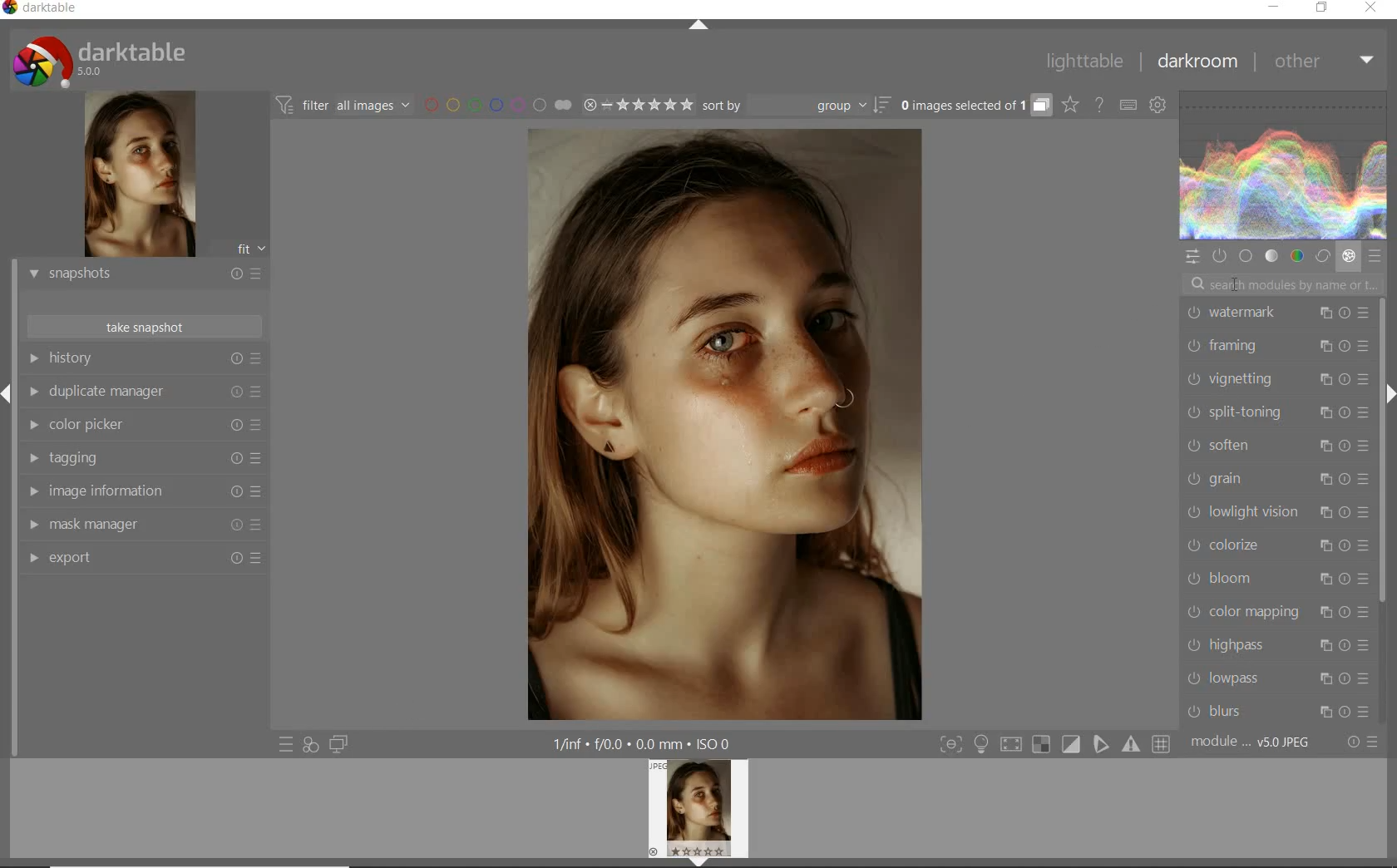  Describe the element at coordinates (1284, 165) in the screenshot. I see `waveform` at that location.